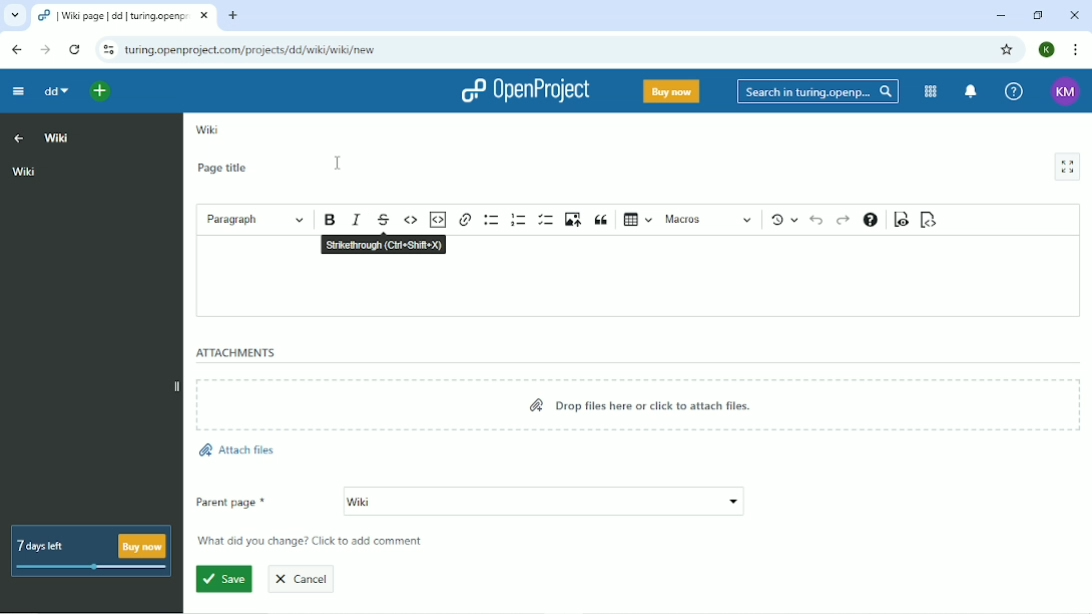 Image resolution: width=1092 pixels, height=614 pixels. I want to click on Drop files here or click to attach files., so click(643, 407).